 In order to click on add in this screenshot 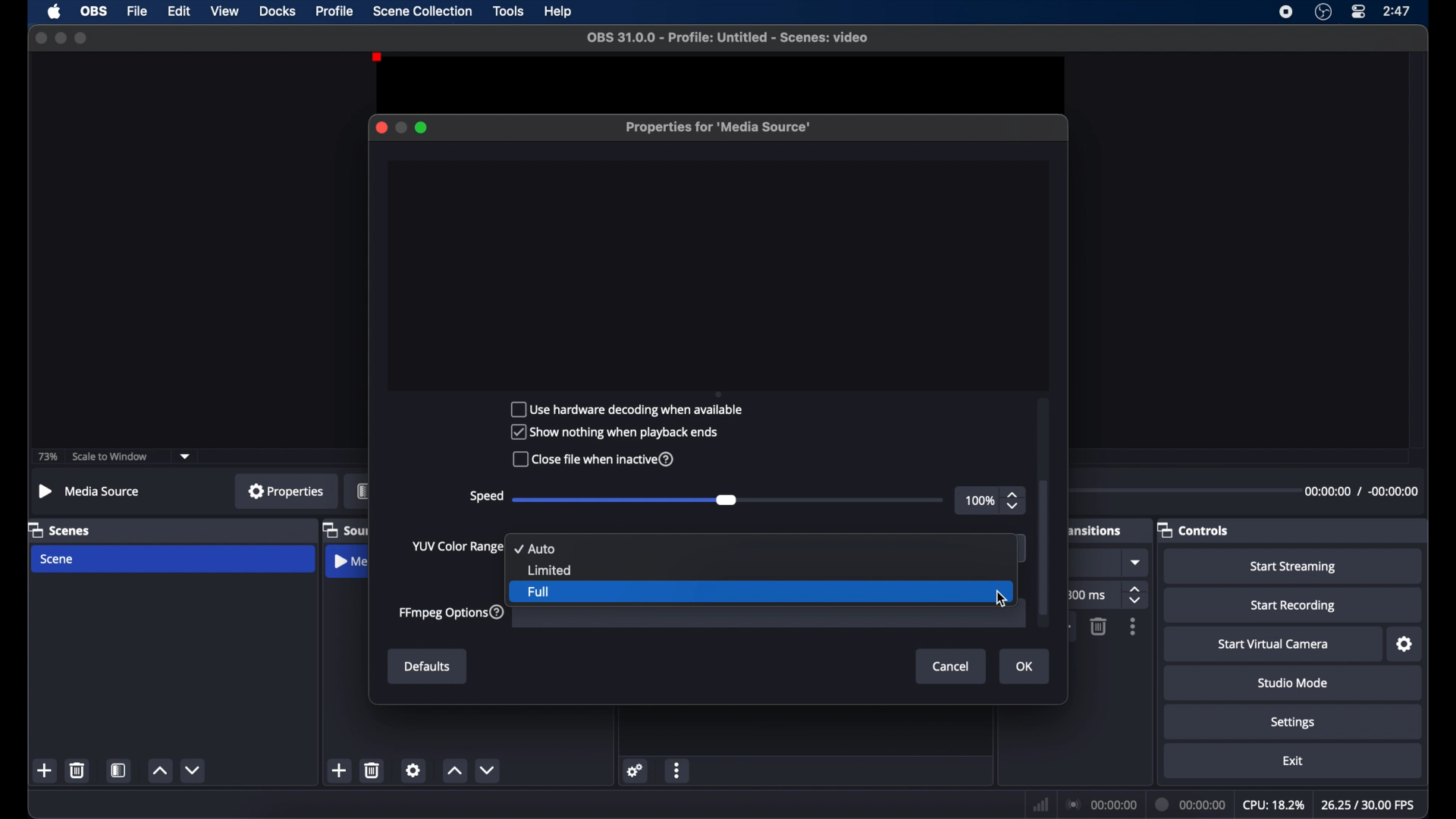, I will do `click(45, 770)`.